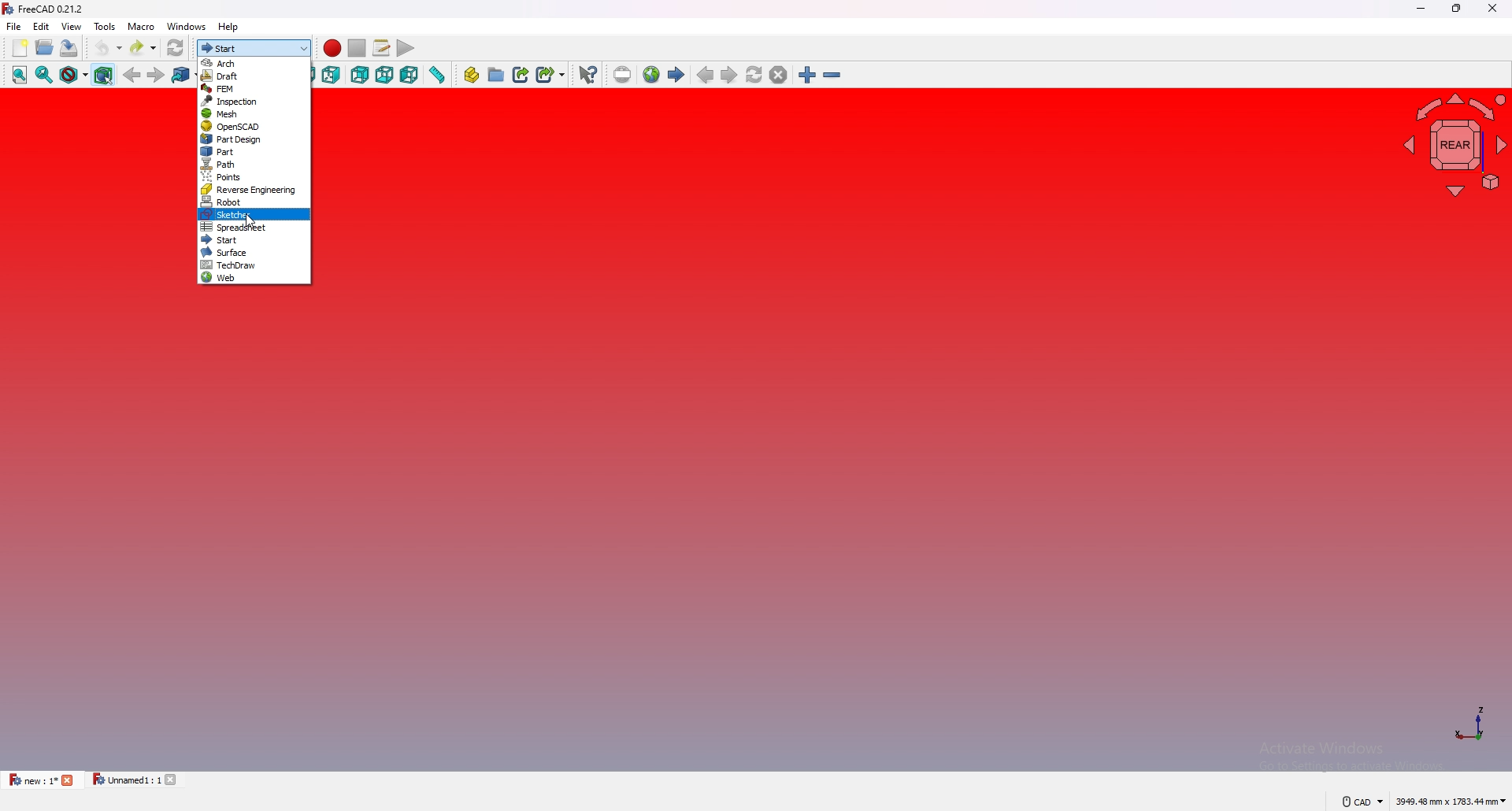  Describe the element at coordinates (551, 75) in the screenshot. I see `create sub link` at that location.